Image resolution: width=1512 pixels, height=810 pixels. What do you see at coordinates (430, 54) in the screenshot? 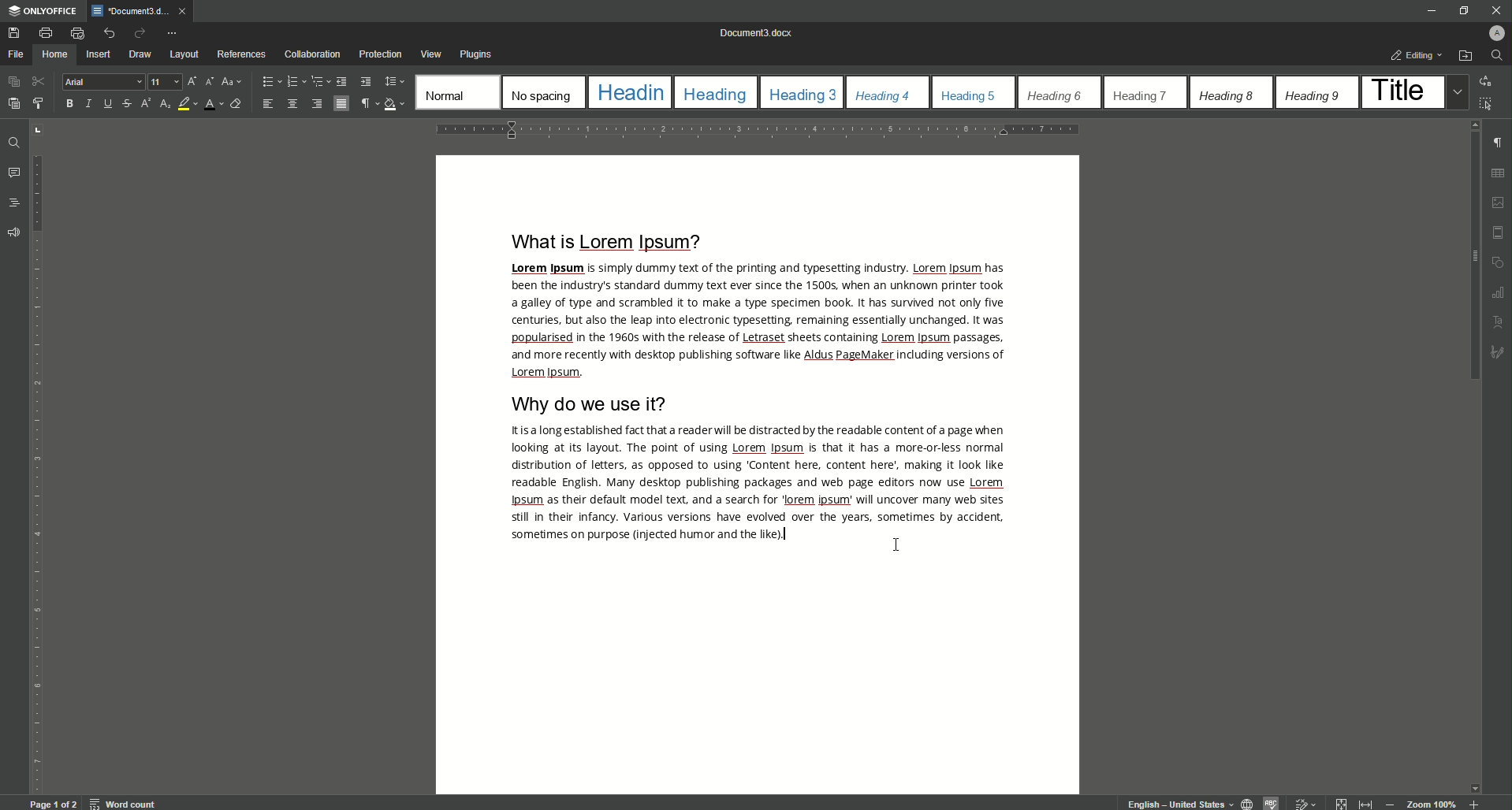
I see `View` at bounding box center [430, 54].